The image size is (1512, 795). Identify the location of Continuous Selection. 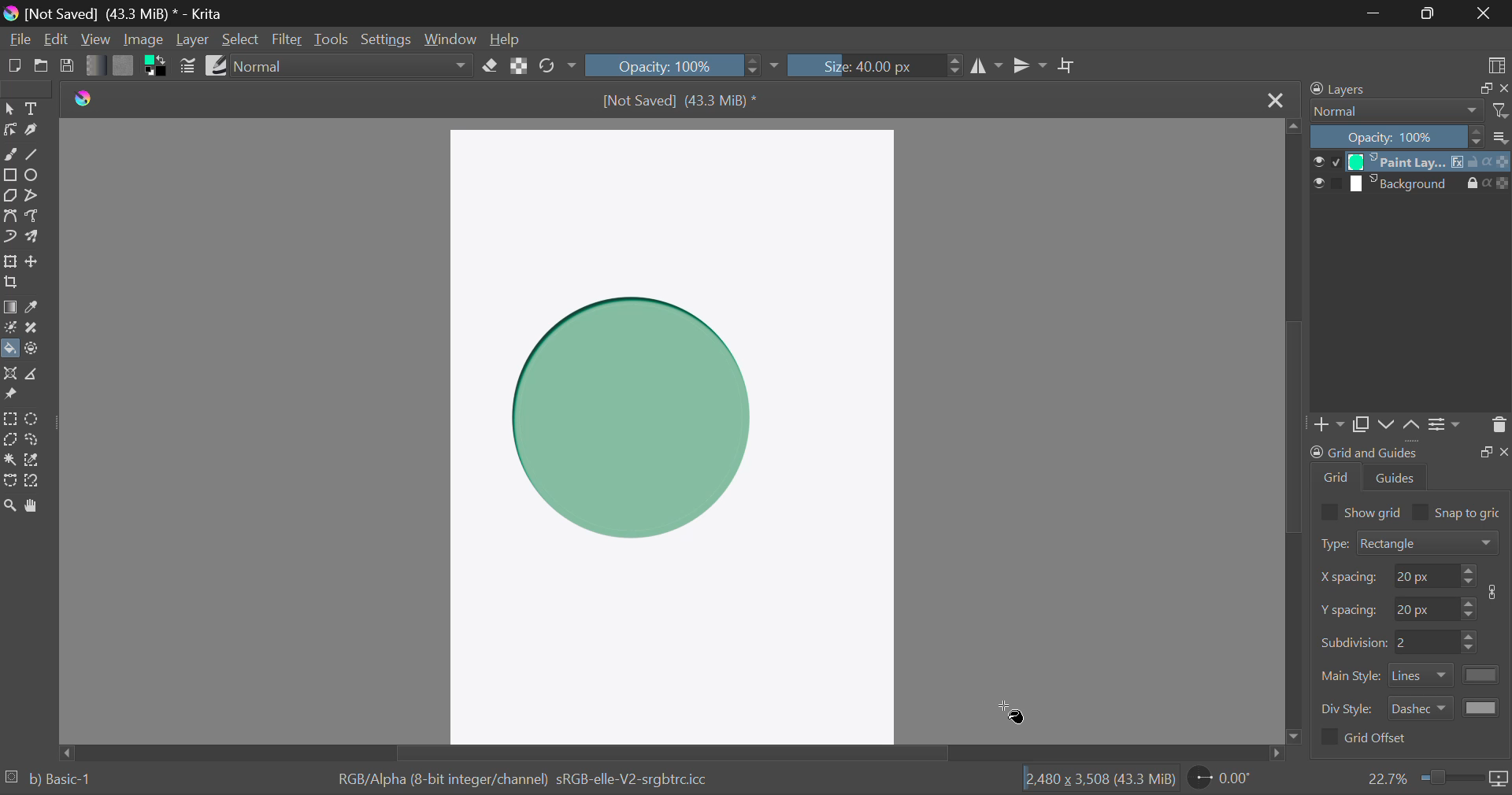
(9, 462).